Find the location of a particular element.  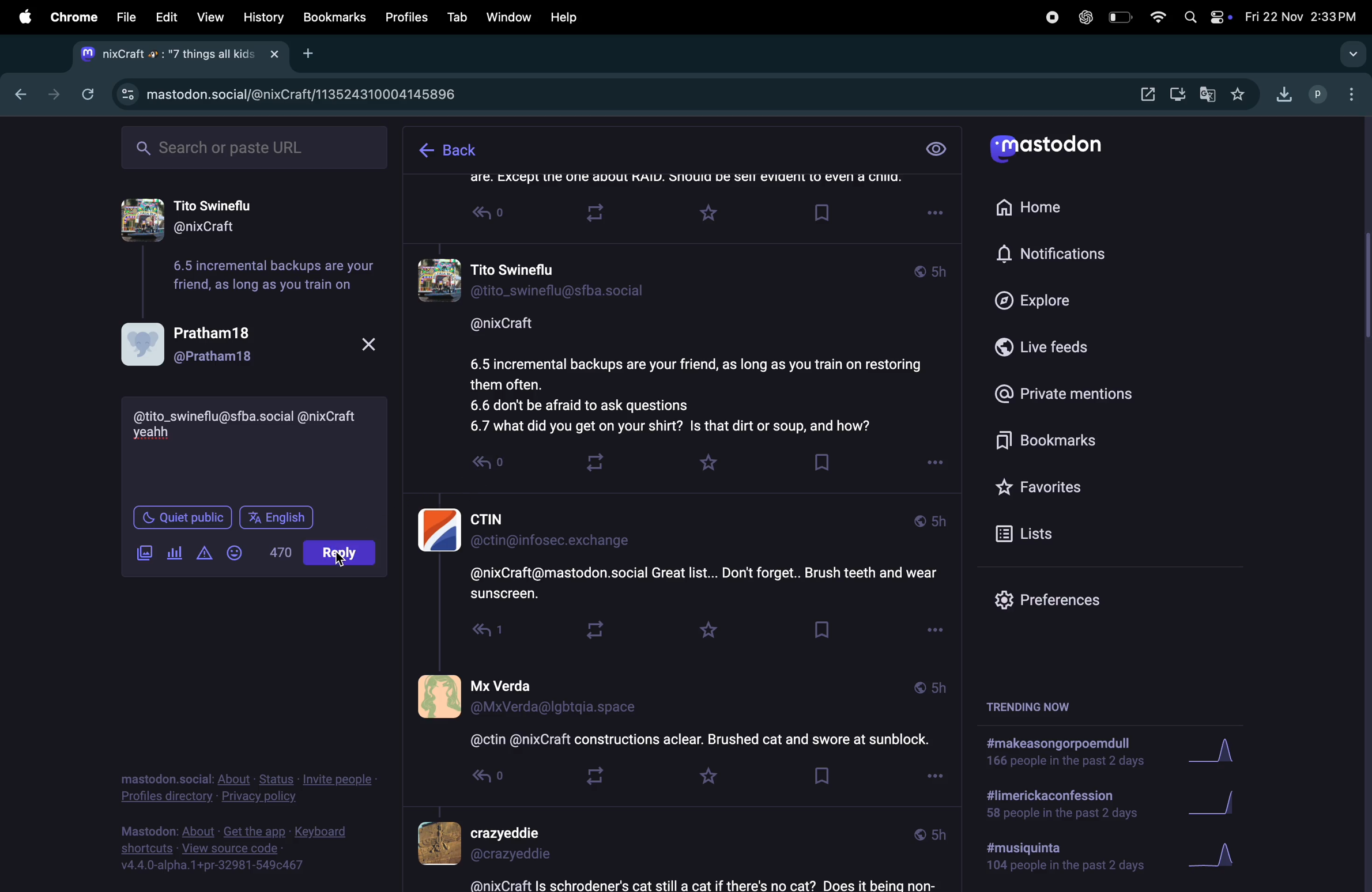

mastdon url is located at coordinates (325, 91).